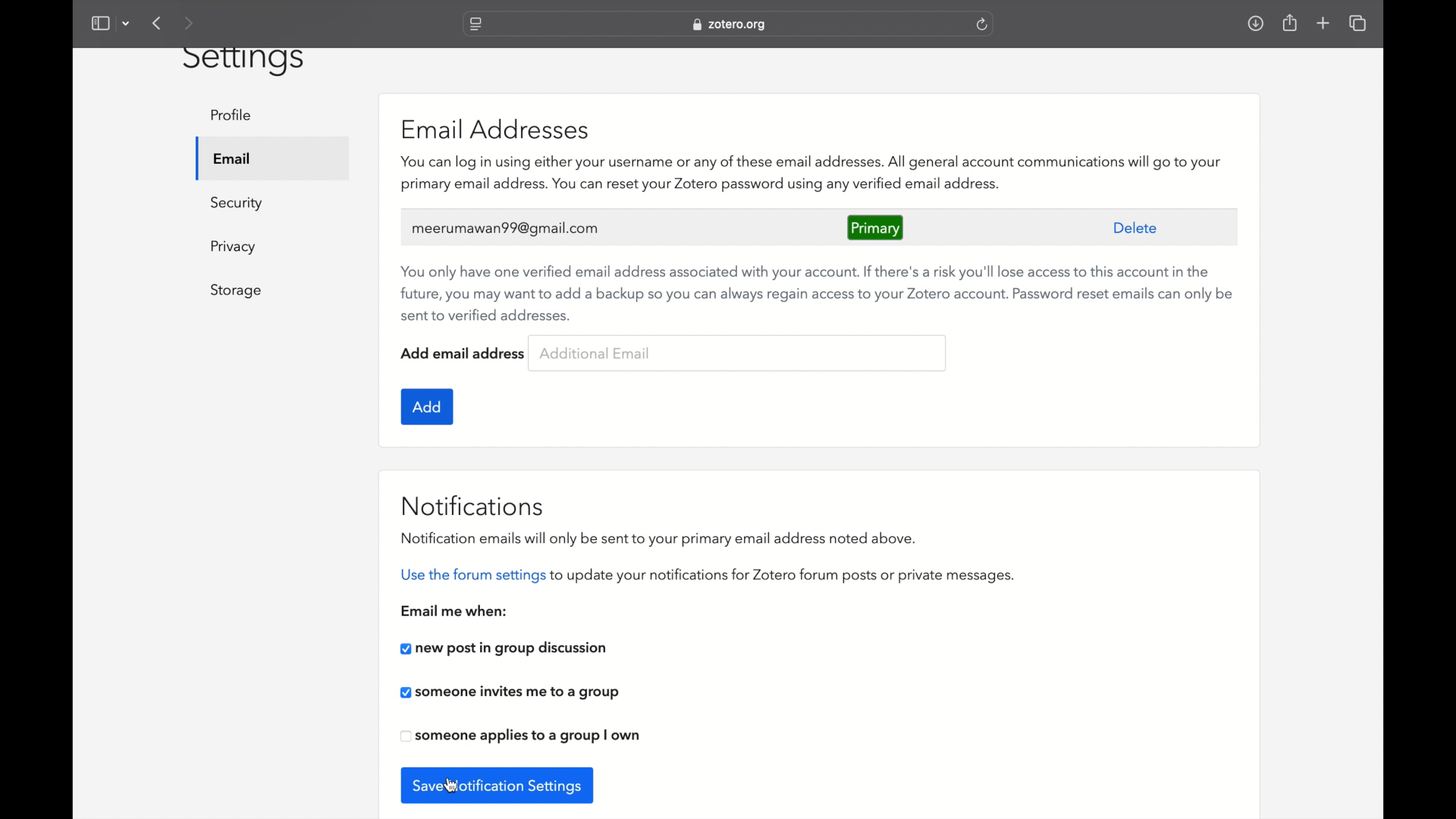 The image size is (1456, 819). I want to click on storage, so click(236, 291).